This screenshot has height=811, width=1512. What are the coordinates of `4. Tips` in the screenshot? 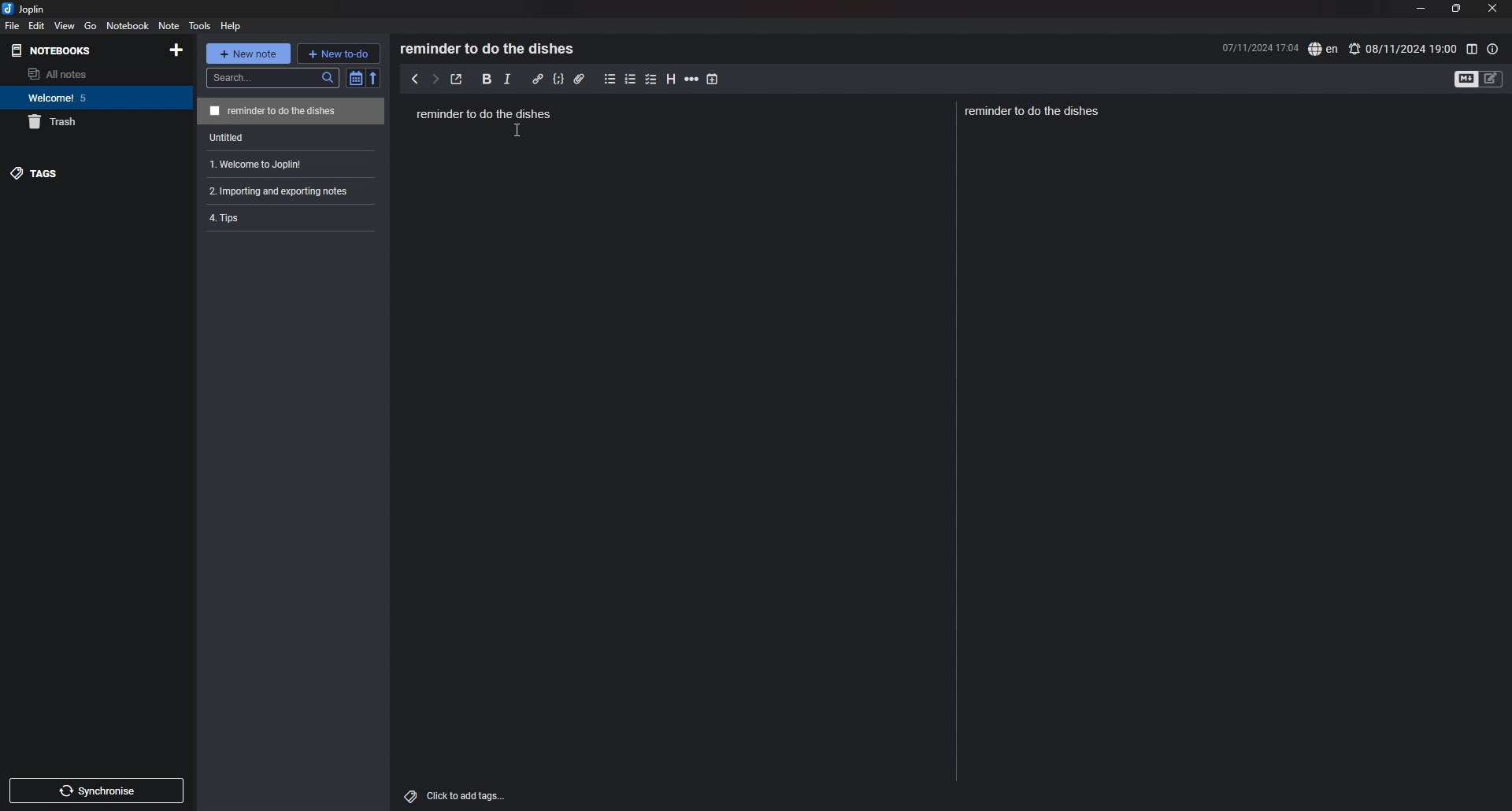 It's located at (274, 220).